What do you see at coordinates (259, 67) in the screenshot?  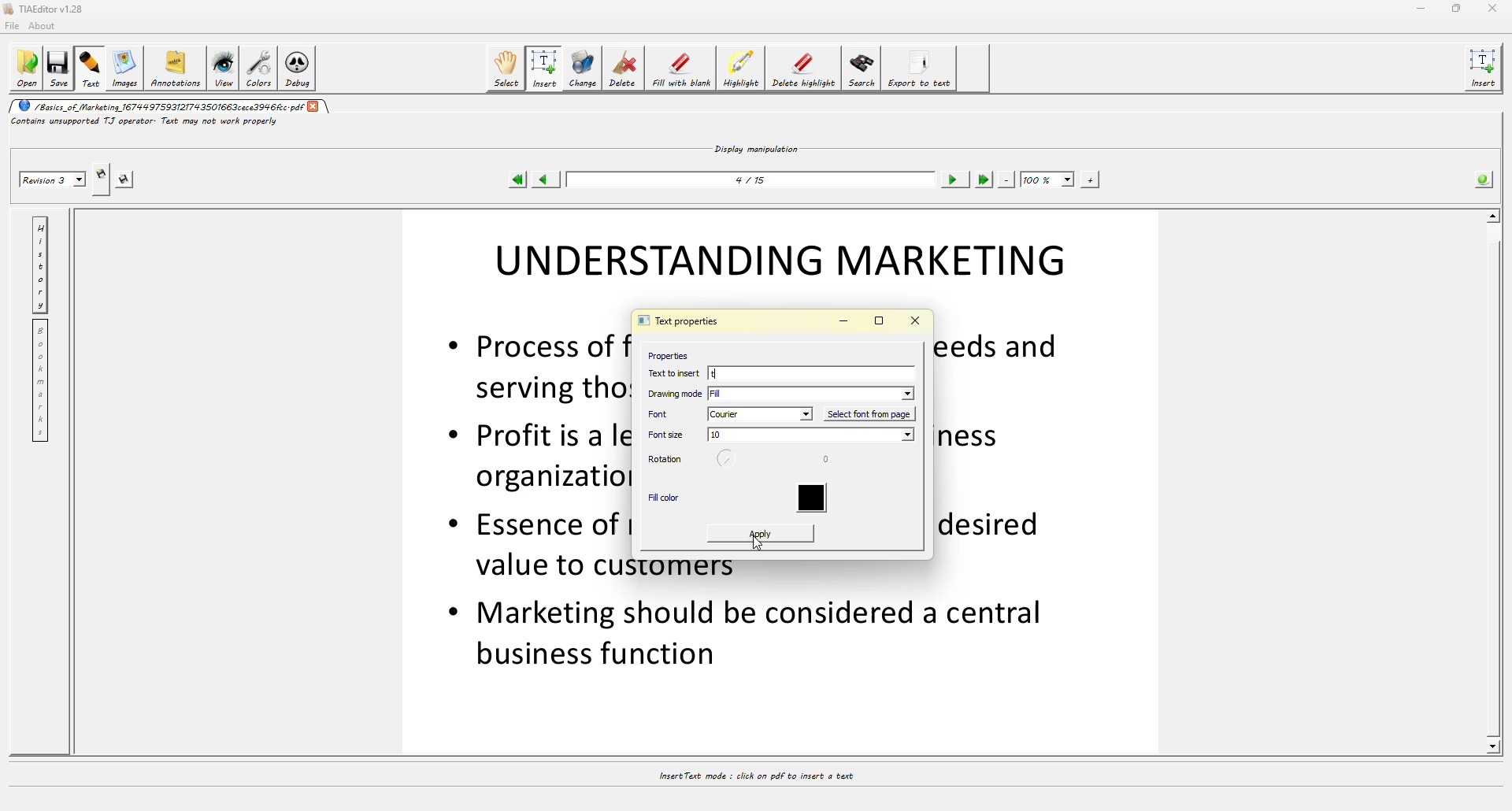 I see `colors` at bounding box center [259, 67].